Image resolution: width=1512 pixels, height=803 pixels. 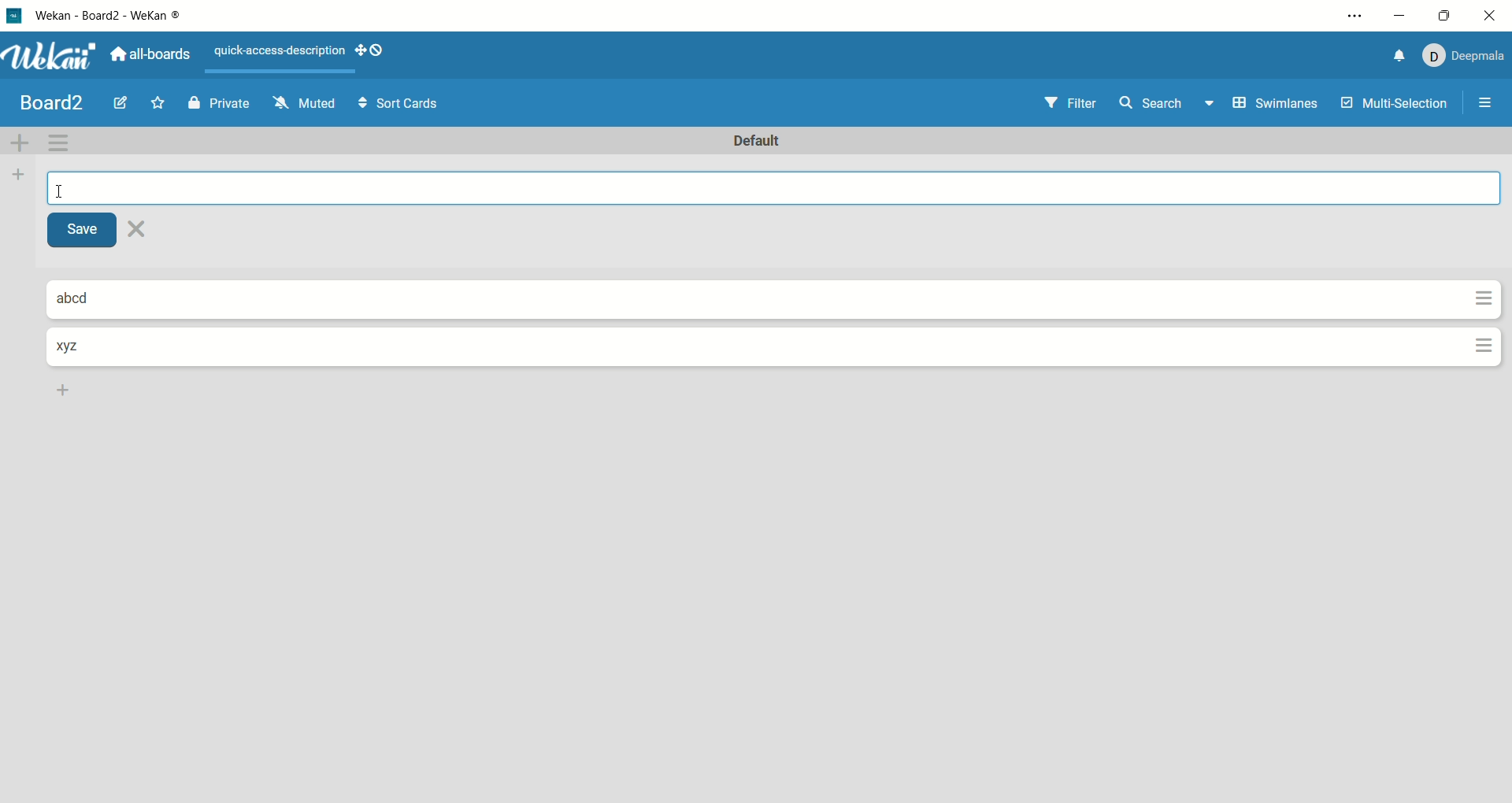 I want to click on sort cards, so click(x=395, y=104).